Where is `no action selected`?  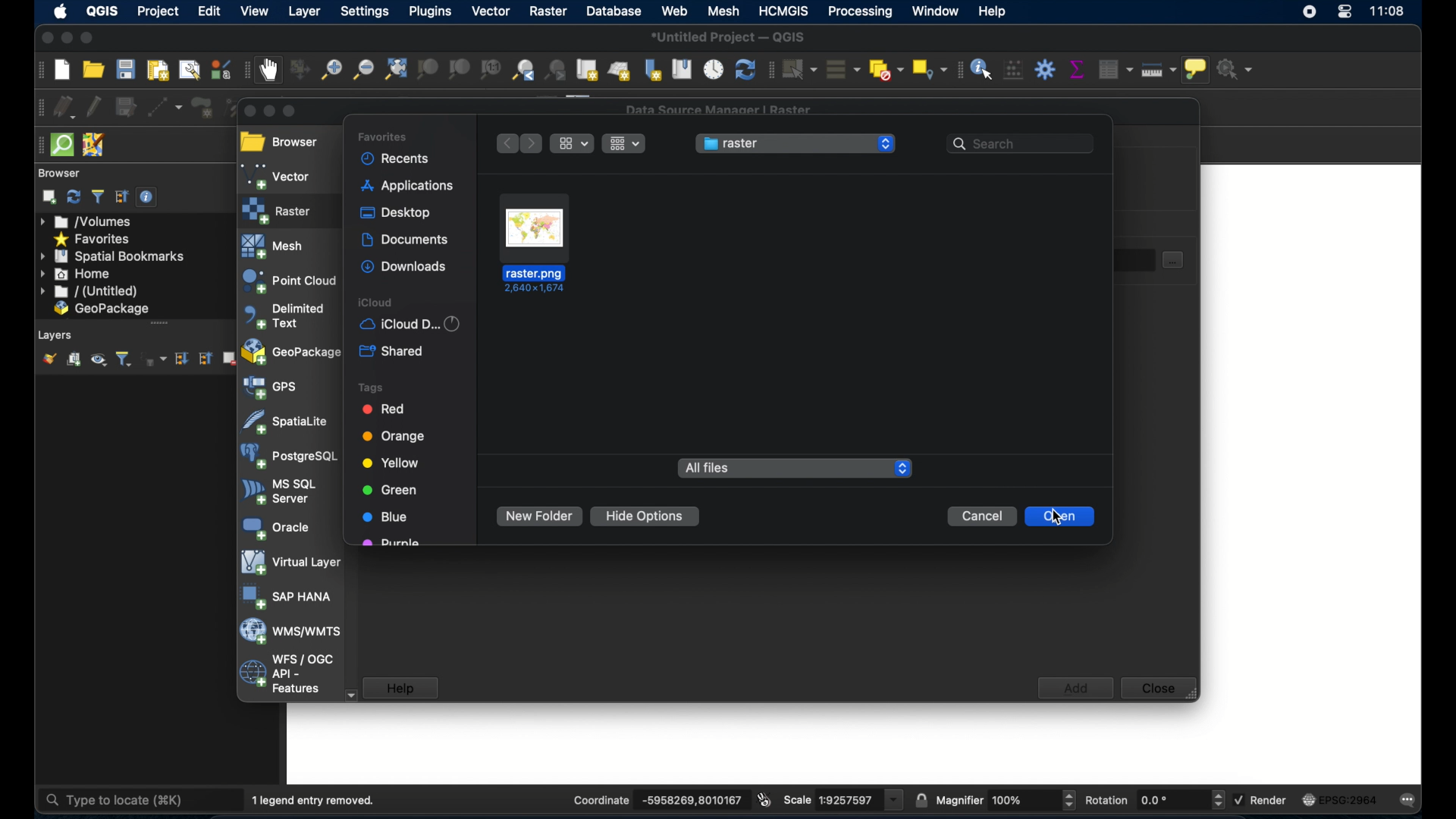
no action selected is located at coordinates (1237, 69).